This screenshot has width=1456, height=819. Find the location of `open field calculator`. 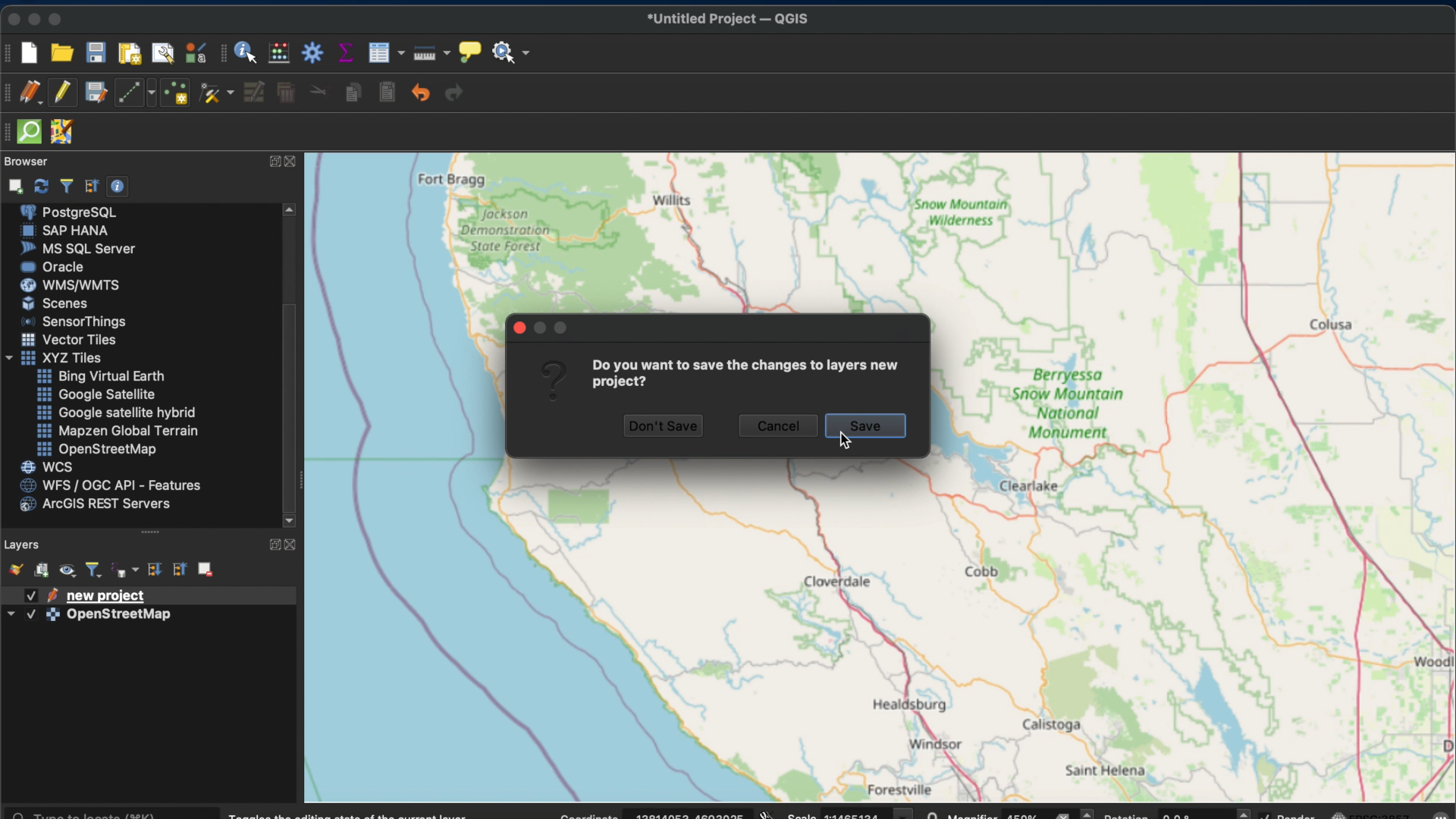

open field calculator is located at coordinates (281, 52).